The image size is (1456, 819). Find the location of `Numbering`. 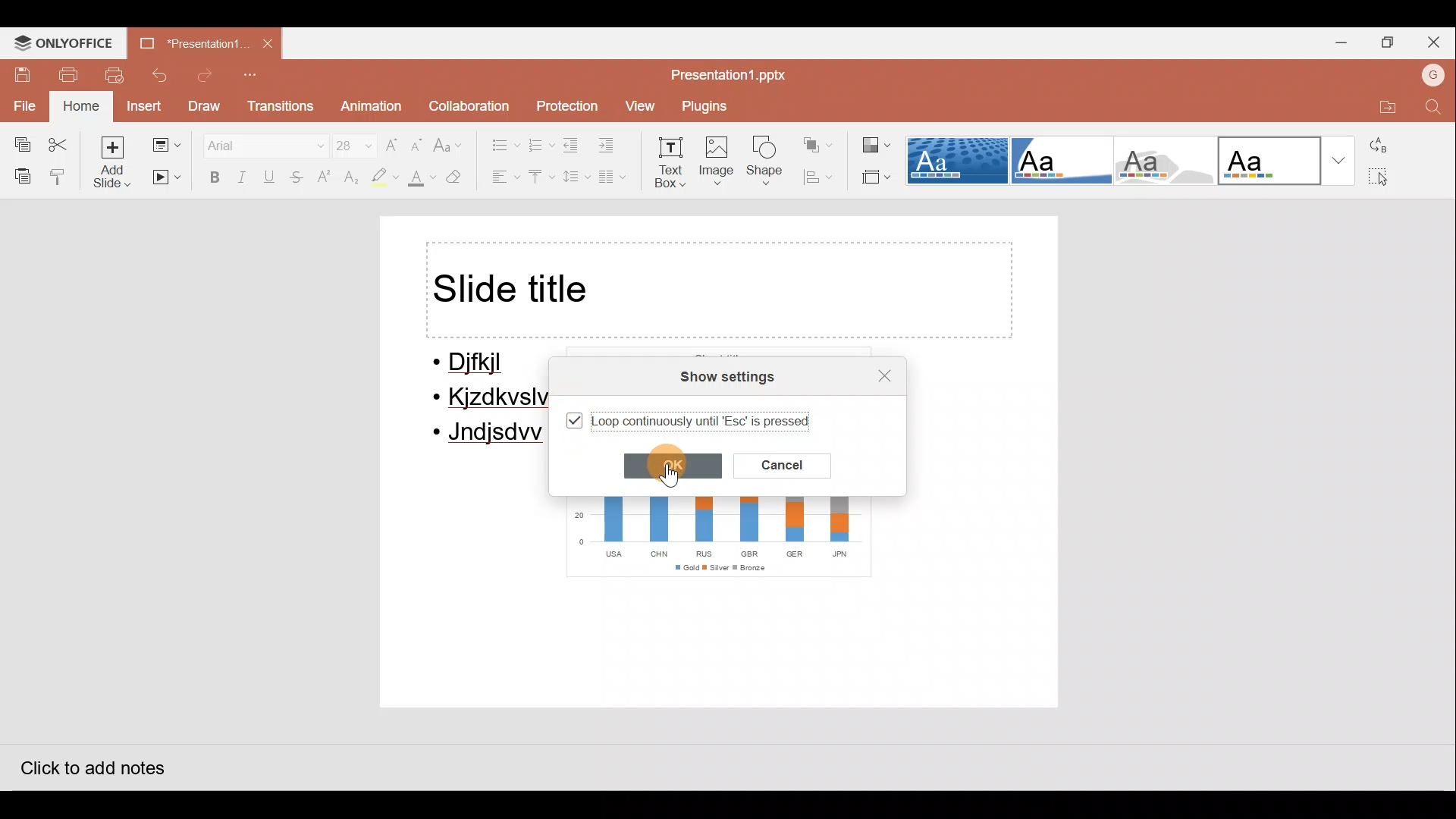

Numbering is located at coordinates (538, 143).